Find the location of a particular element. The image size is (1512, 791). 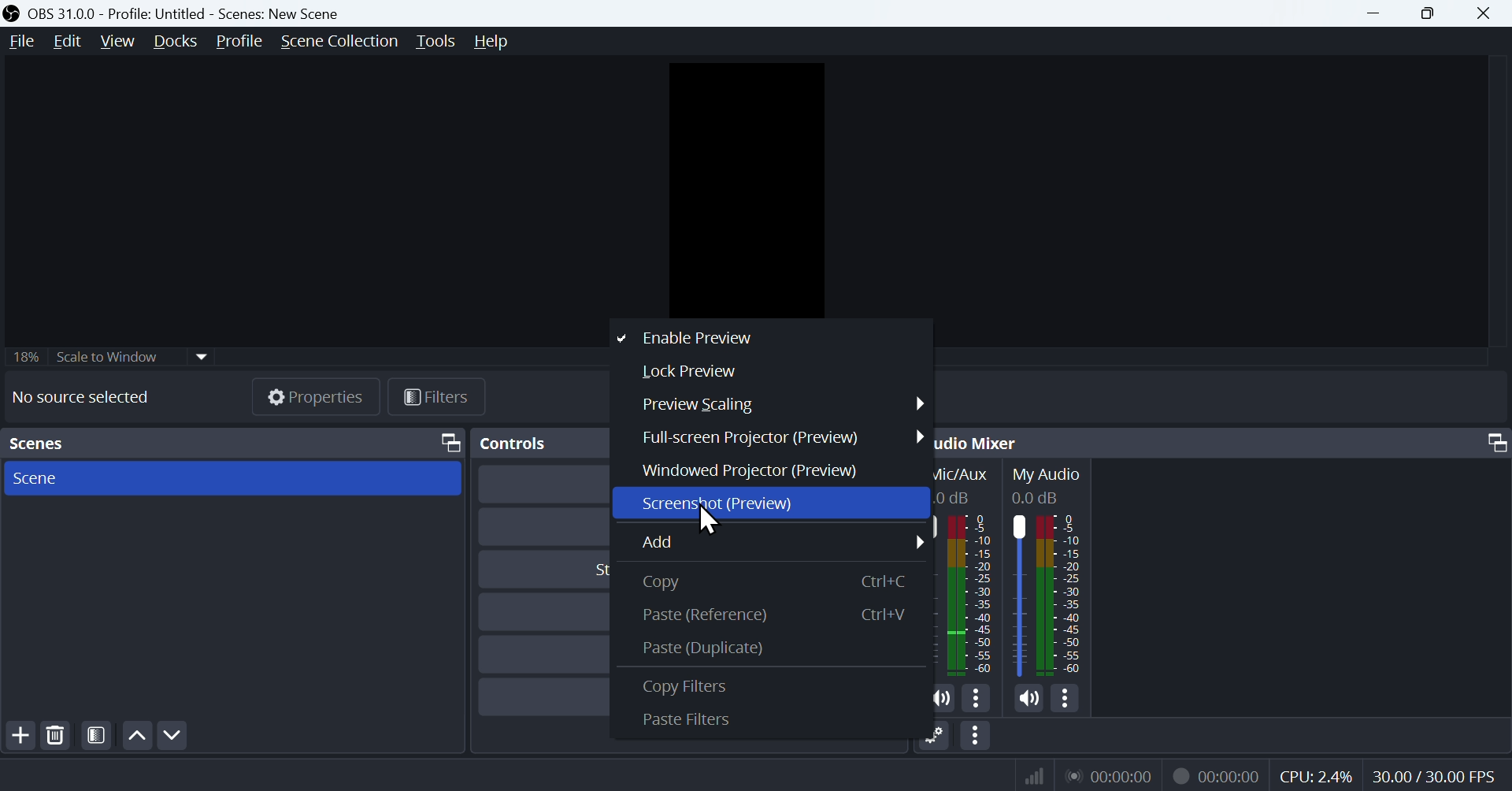

Maximize is located at coordinates (1488, 444).